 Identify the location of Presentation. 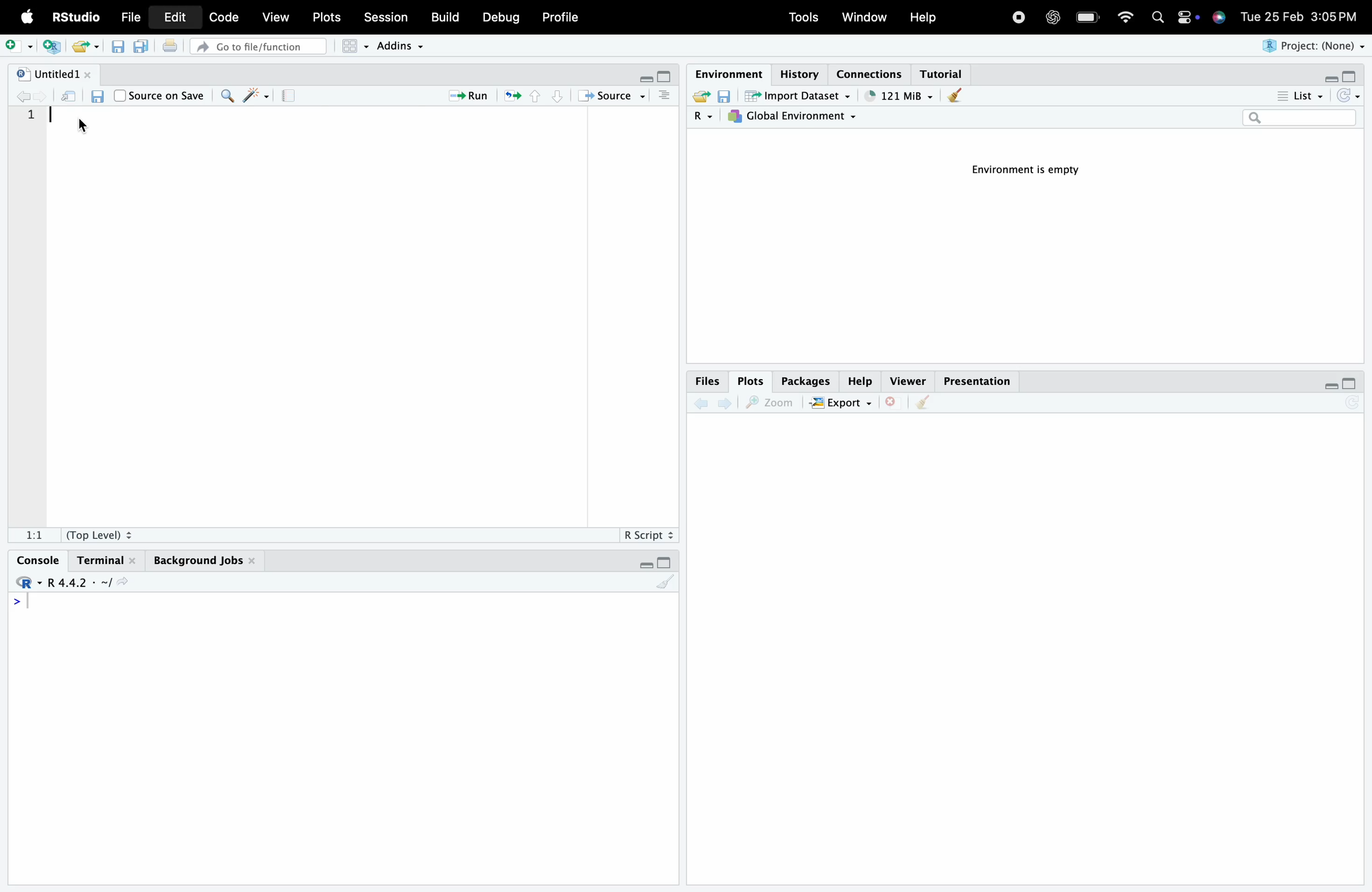
(978, 381).